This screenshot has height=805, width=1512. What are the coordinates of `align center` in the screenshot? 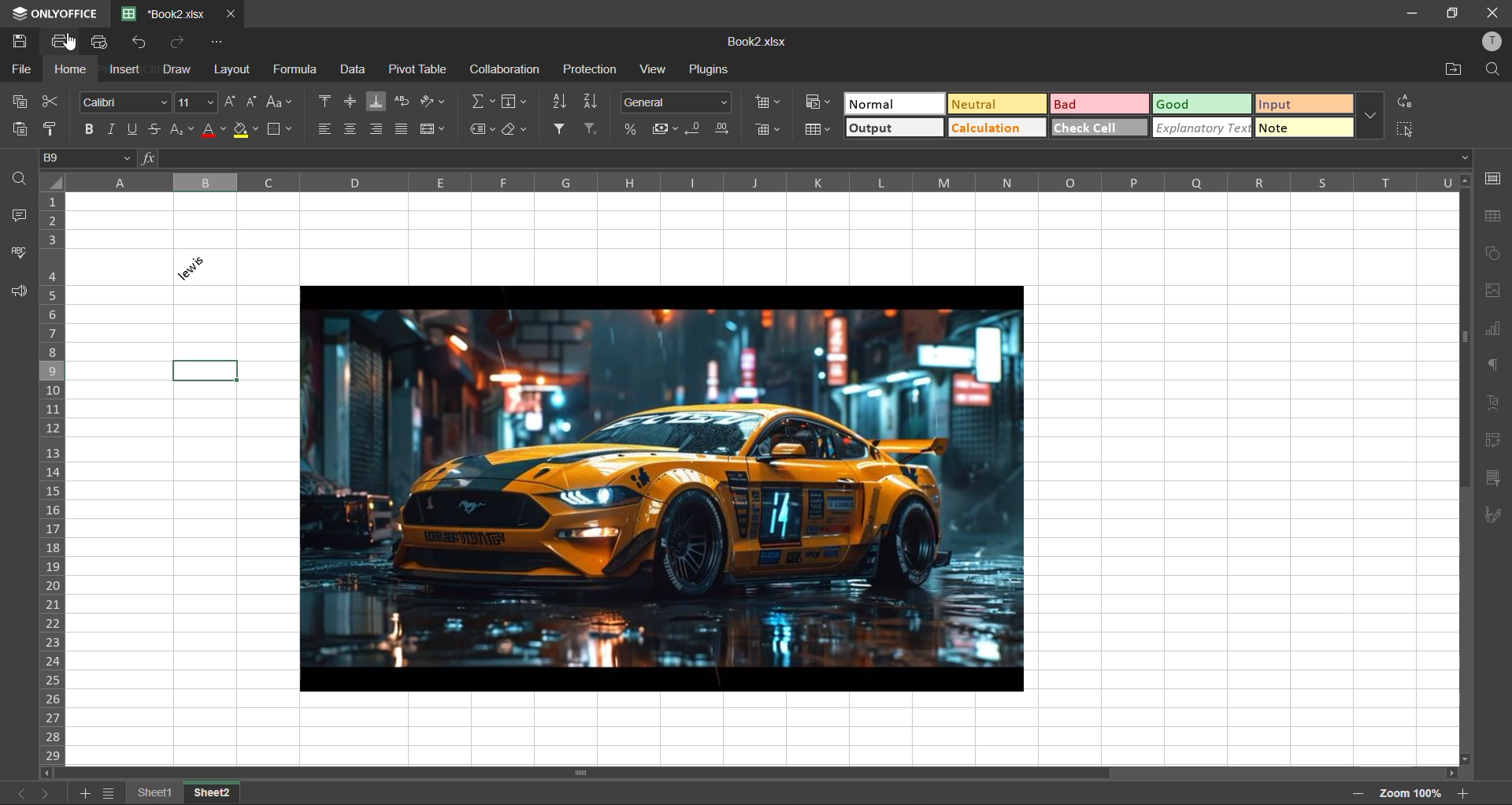 It's located at (353, 129).